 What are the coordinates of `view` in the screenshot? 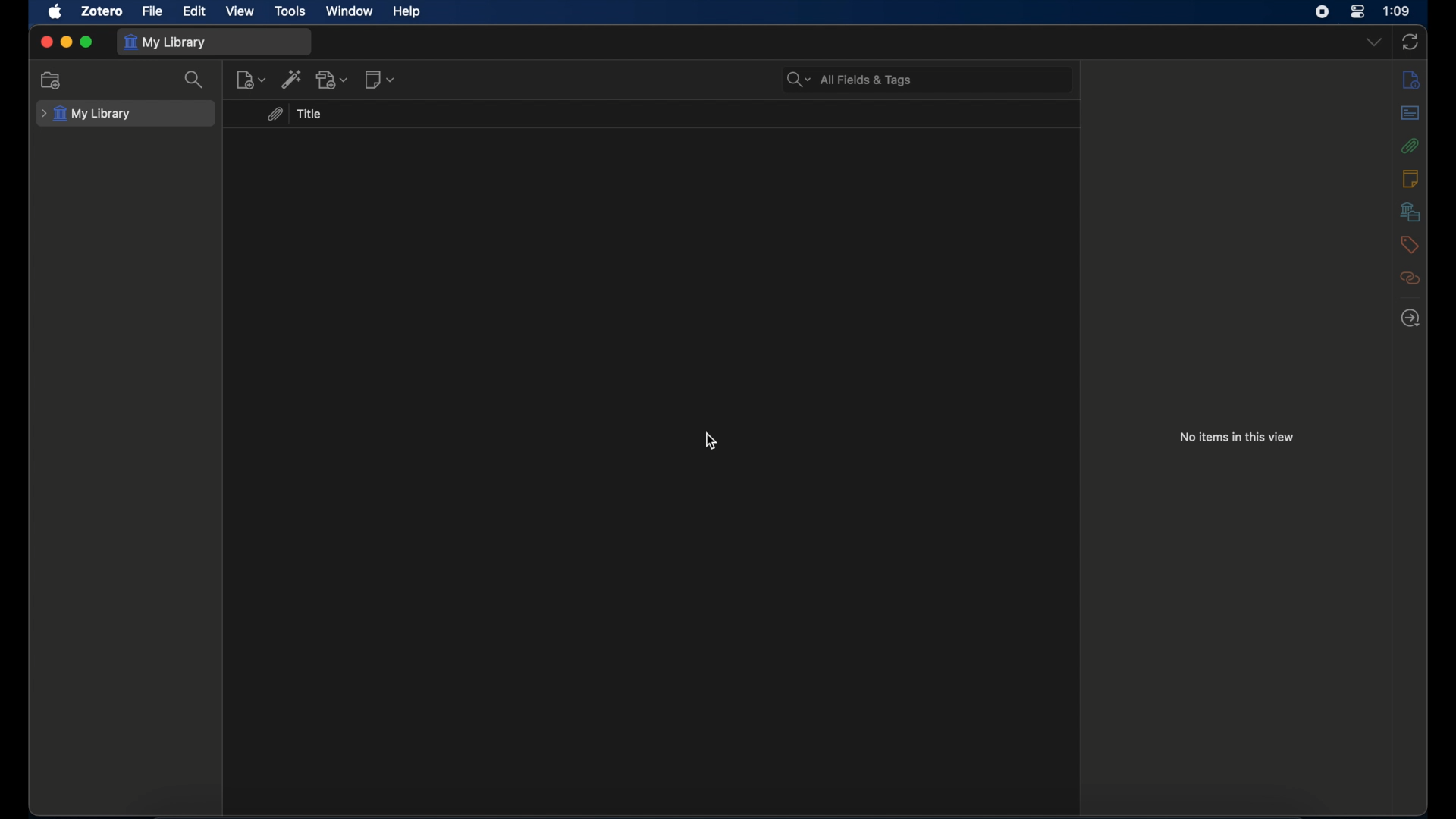 It's located at (238, 11).